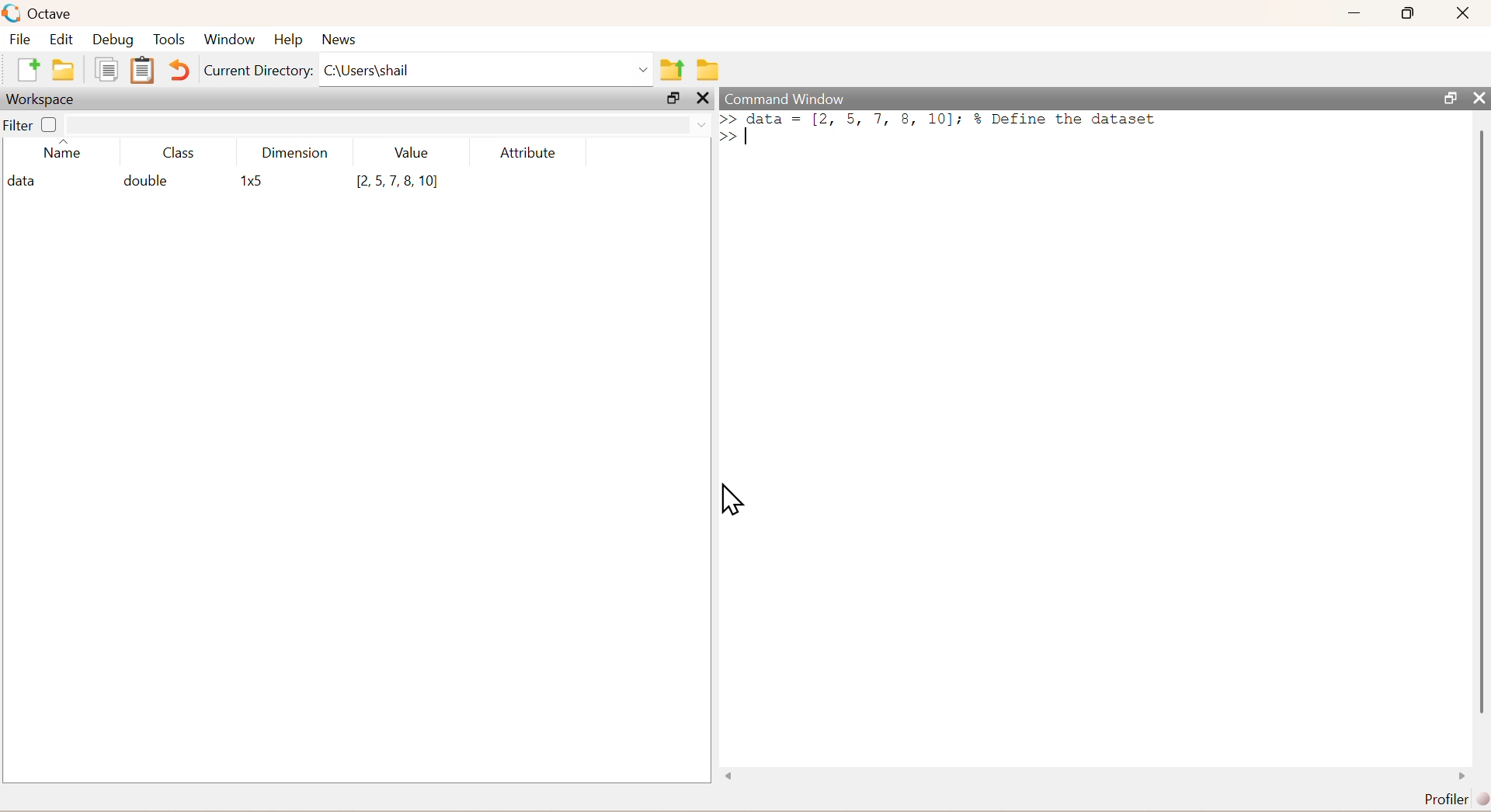  Describe the element at coordinates (30, 69) in the screenshot. I see `add file` at that location.